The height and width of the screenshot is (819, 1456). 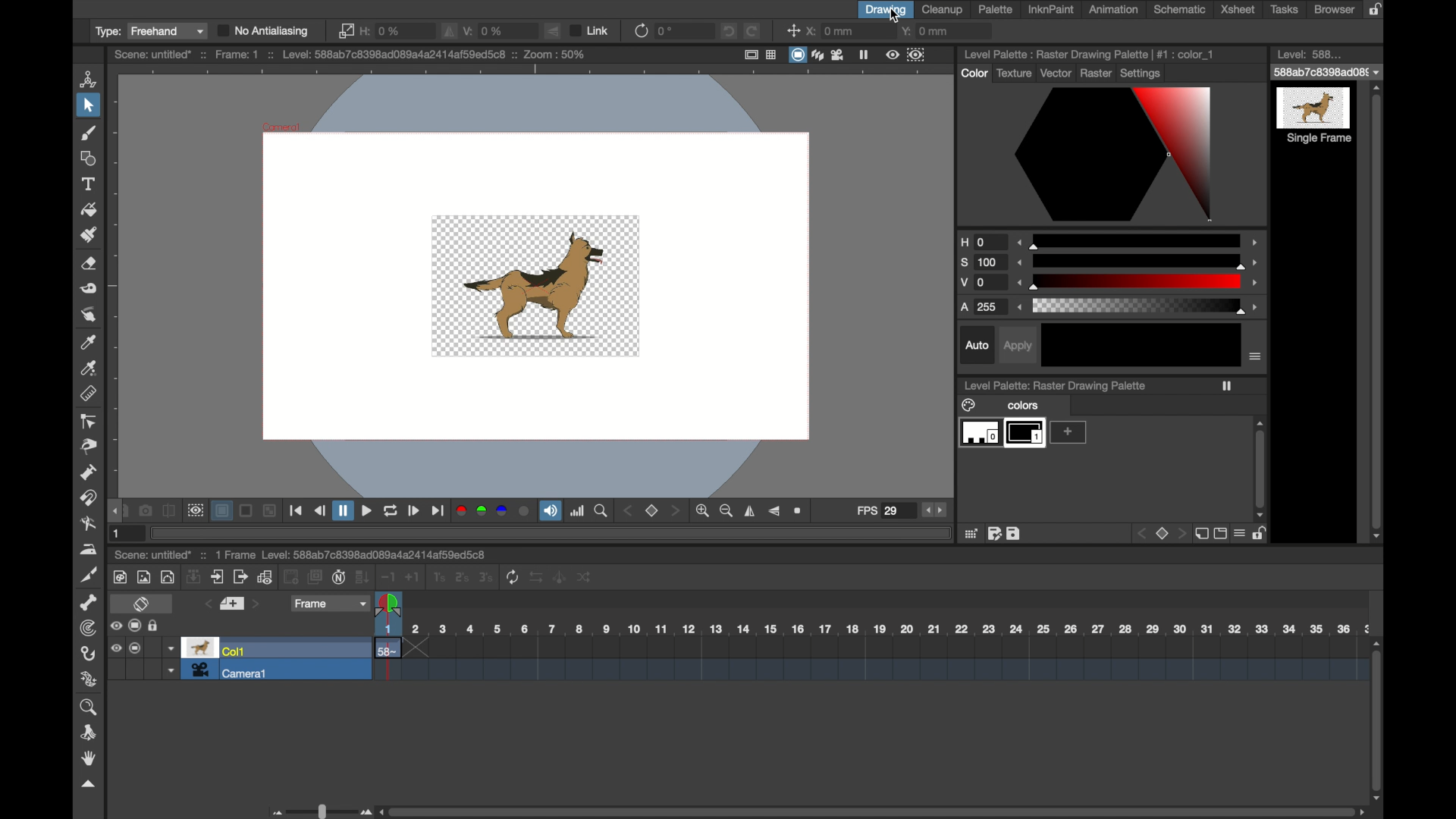 What do you see at coordinates (791, 30) in the screenshot?
I see `center` at bounding box center [791, 30].